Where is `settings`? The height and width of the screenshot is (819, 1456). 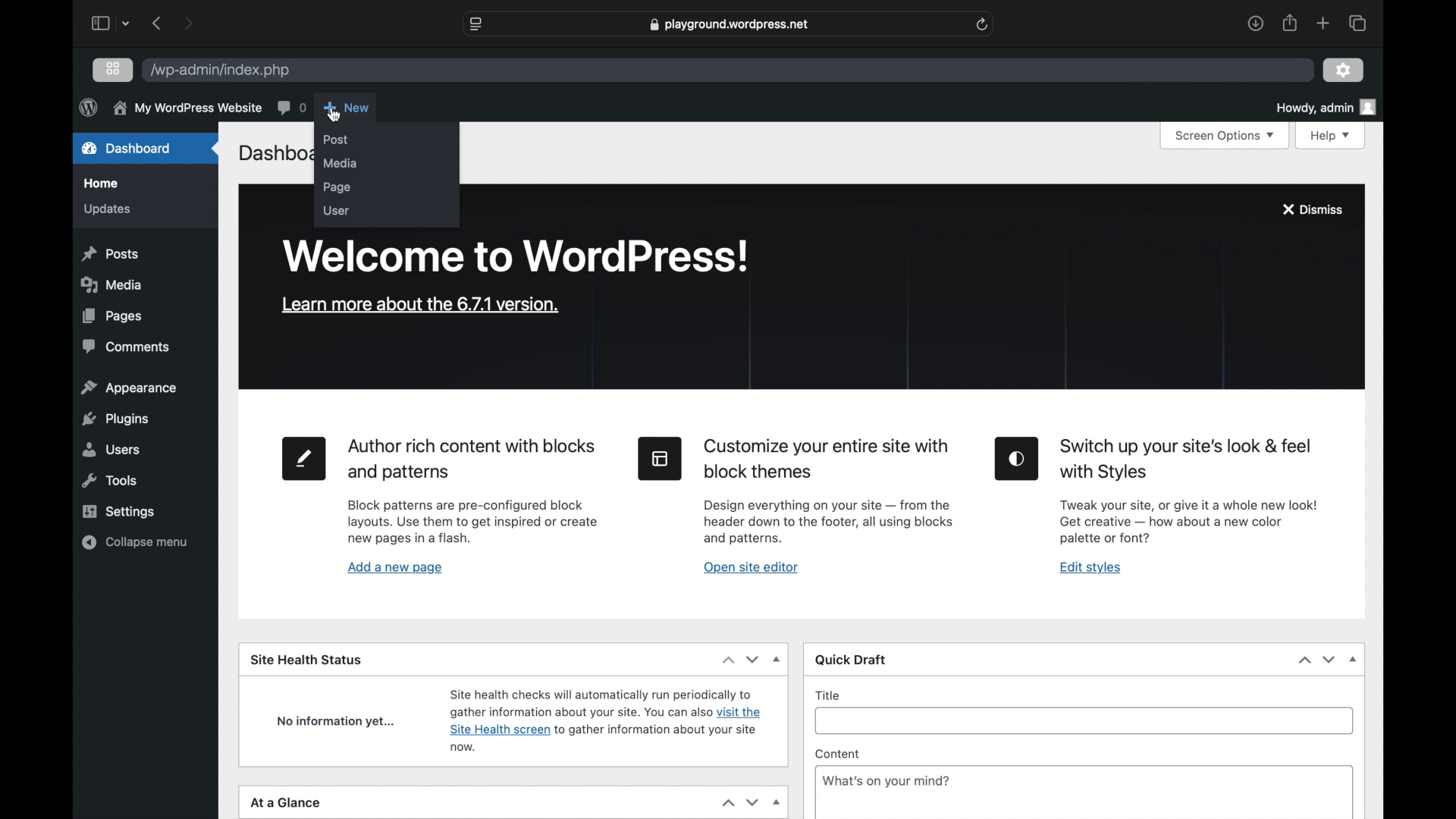
settings is located at coordinates (1344, 71).